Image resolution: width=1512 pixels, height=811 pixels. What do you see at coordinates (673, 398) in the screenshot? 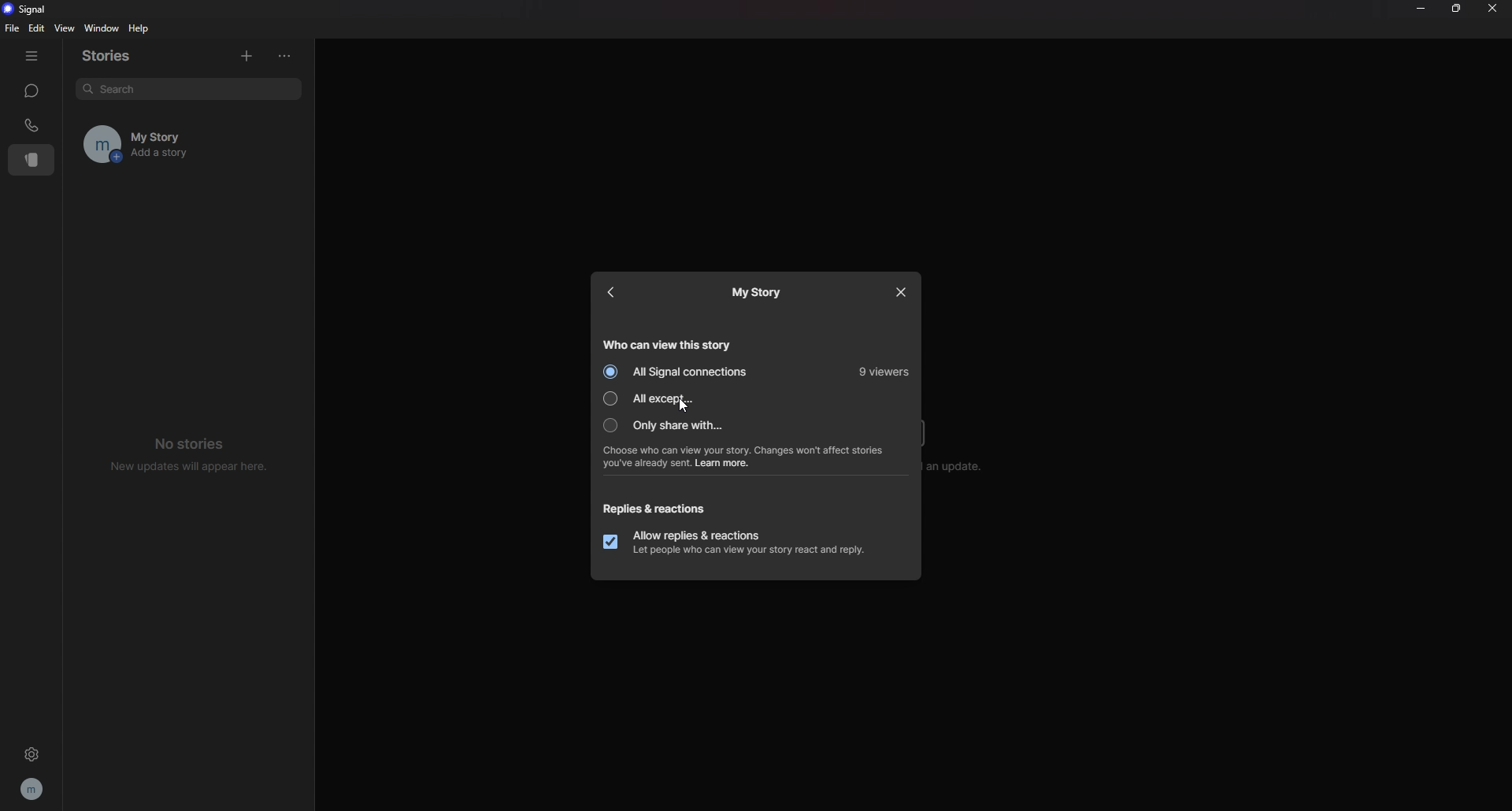
I see `all except` at bounding box center [673, 398].